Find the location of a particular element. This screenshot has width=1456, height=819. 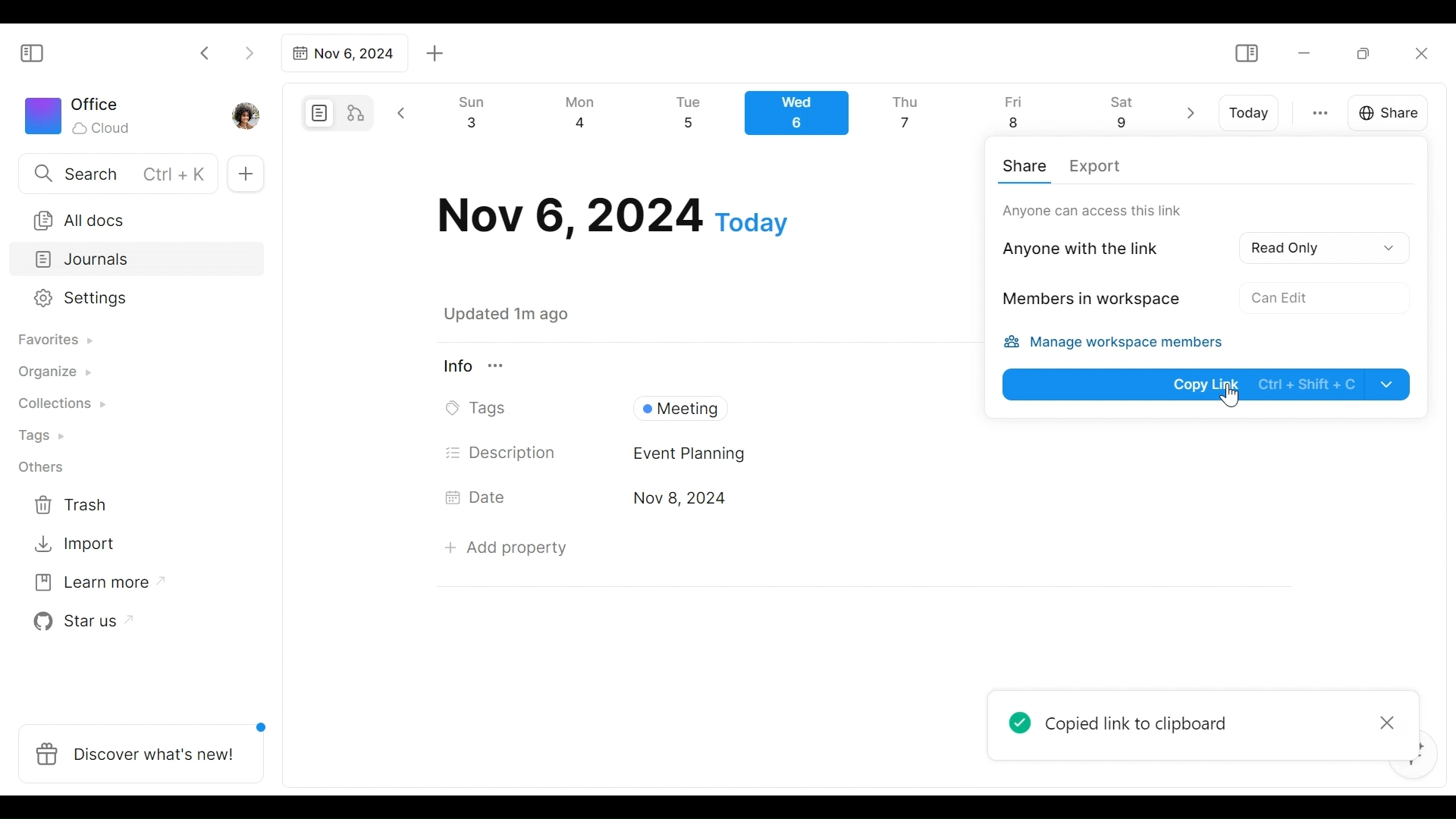

All documents is located at coordinates (131, 218).